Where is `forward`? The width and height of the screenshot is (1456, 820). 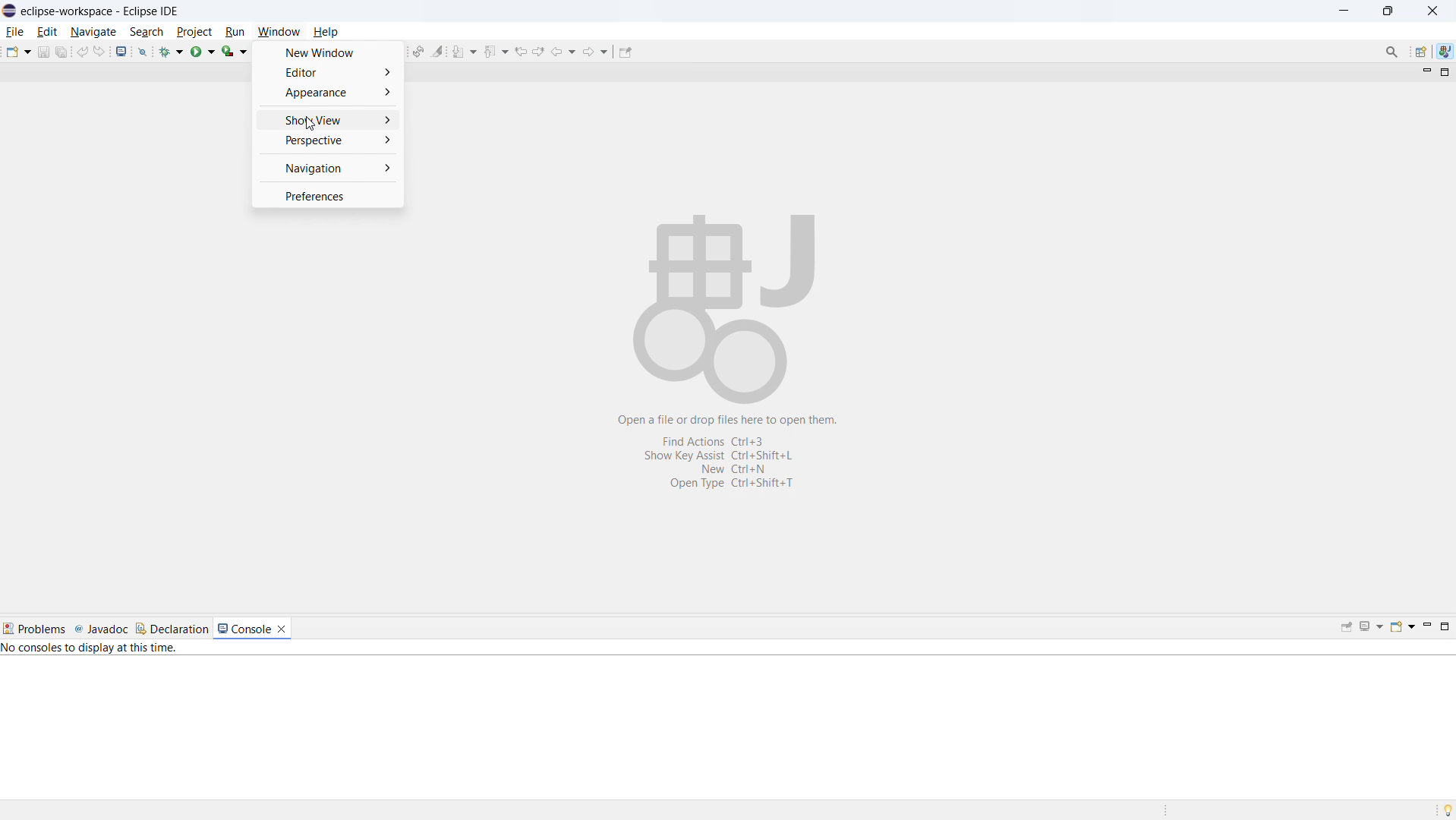
forward is located at coordinates (595, 50).